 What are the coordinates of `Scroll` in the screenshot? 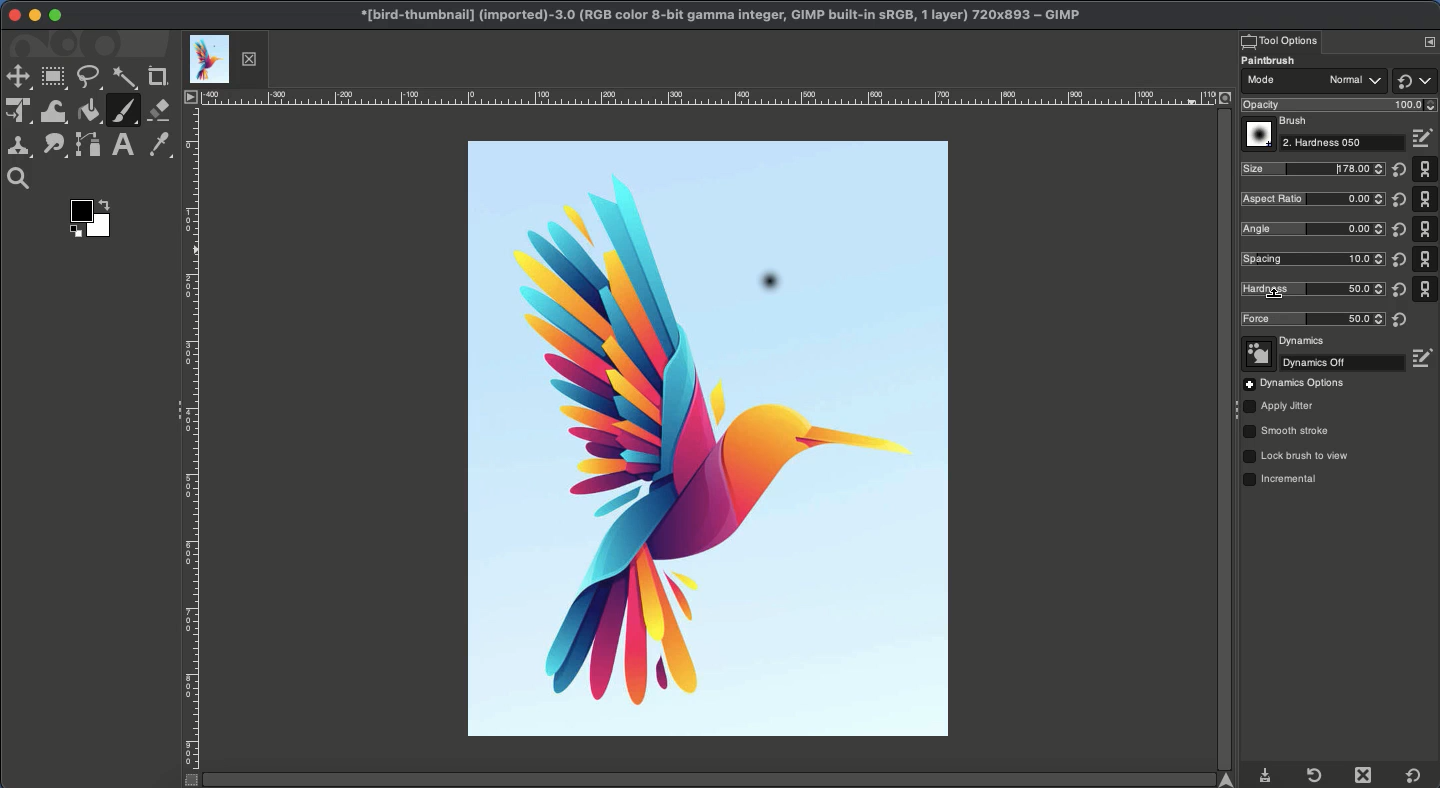 It's located at (718, 780).